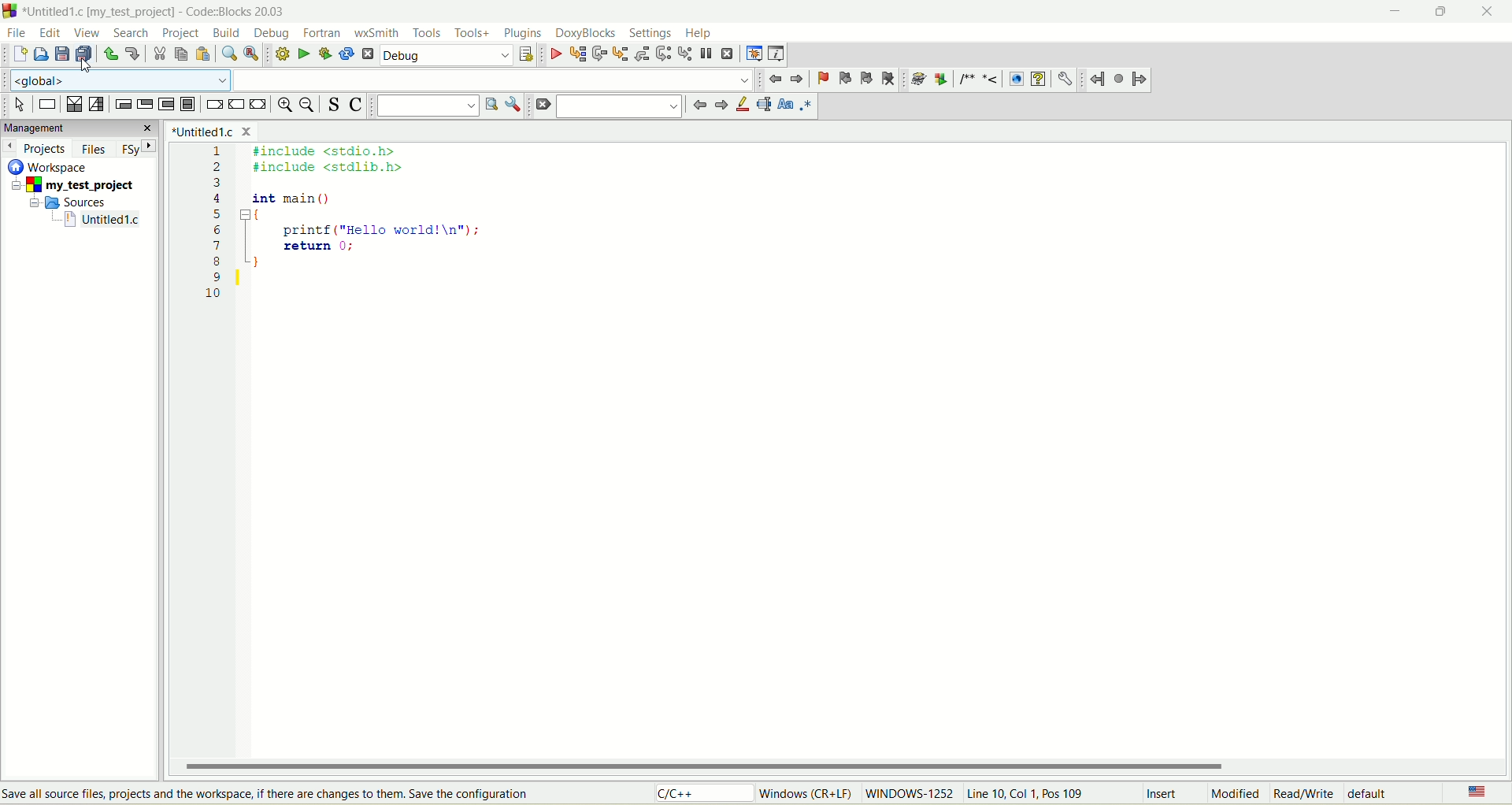 The width and height of the screenshot is (1512, 805). I want to click on selected text, so click(762, 106).